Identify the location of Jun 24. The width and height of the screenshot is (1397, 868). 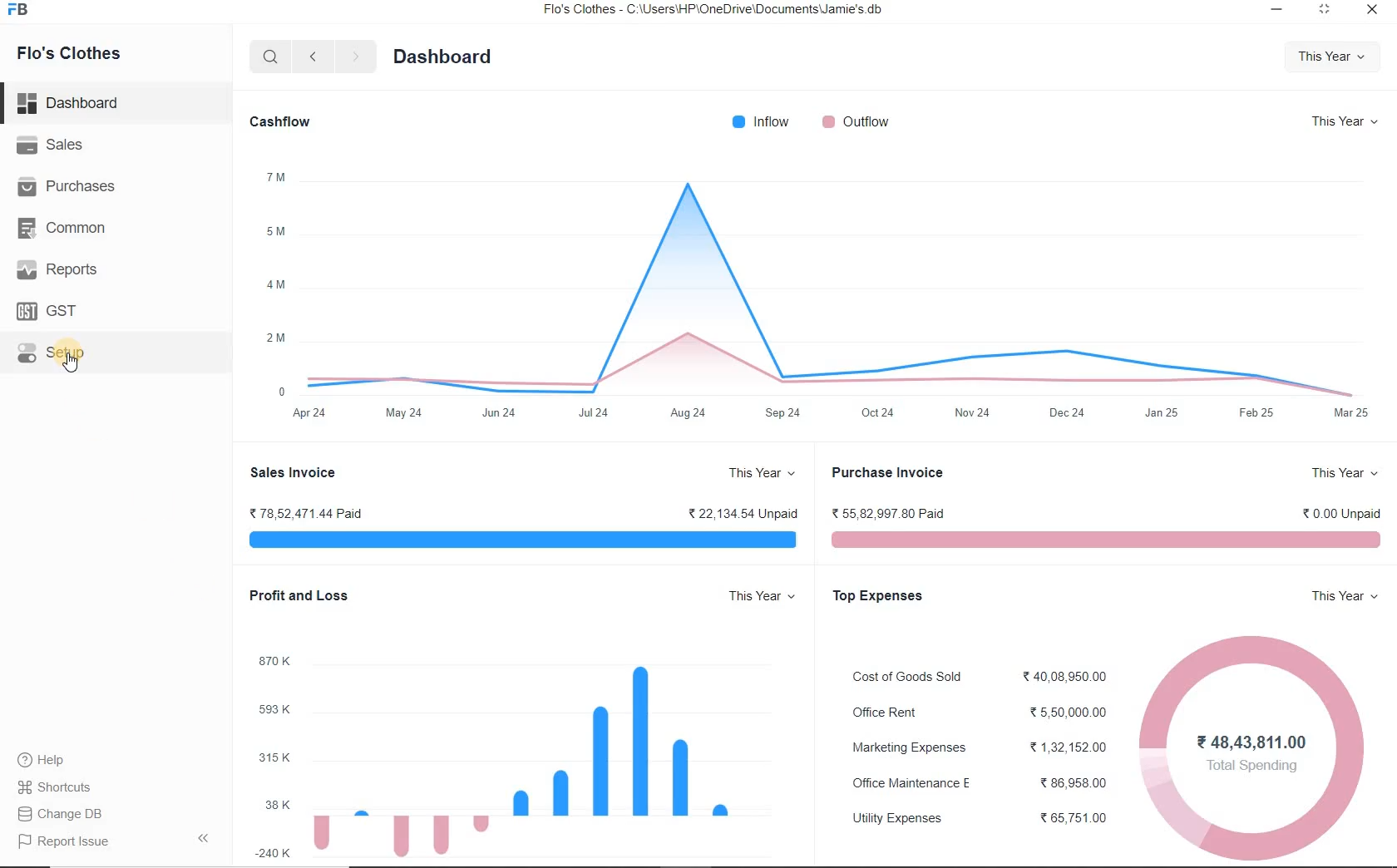
(498, 416).